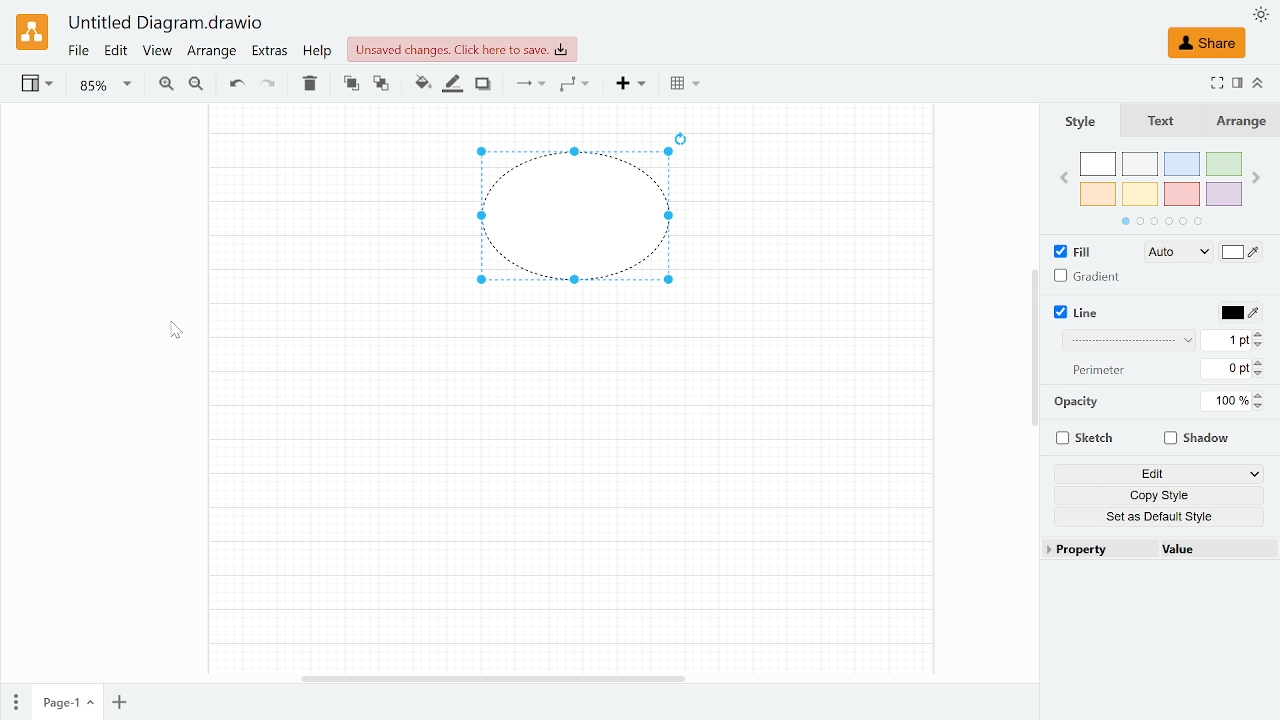  What do you see at coordinates (213, 52) in the screenshot?
I see `Arrange` at bounding box center [213, 52].